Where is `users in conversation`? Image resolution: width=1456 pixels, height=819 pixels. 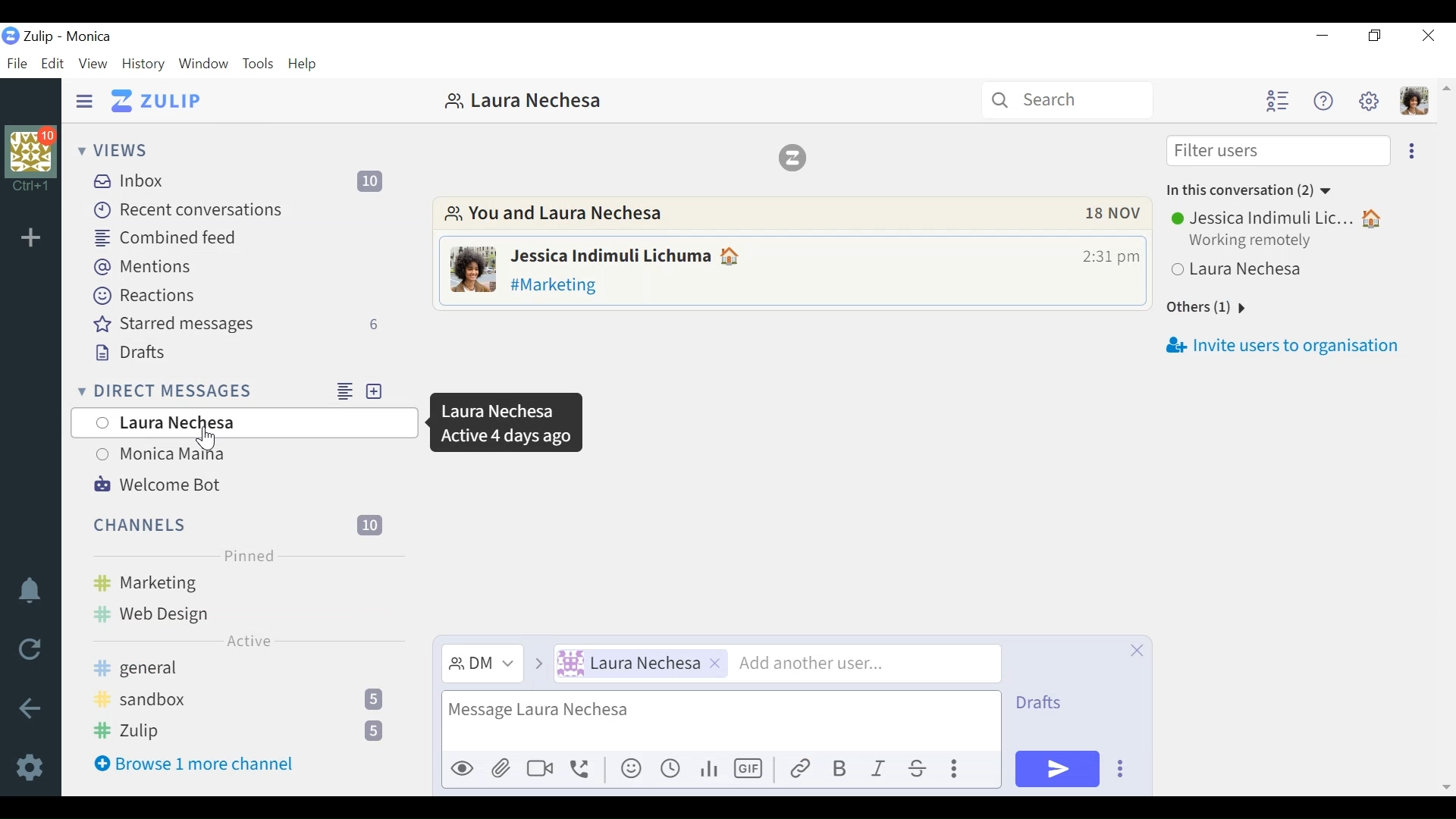
users in conversation is located at coordinates (759, 212).